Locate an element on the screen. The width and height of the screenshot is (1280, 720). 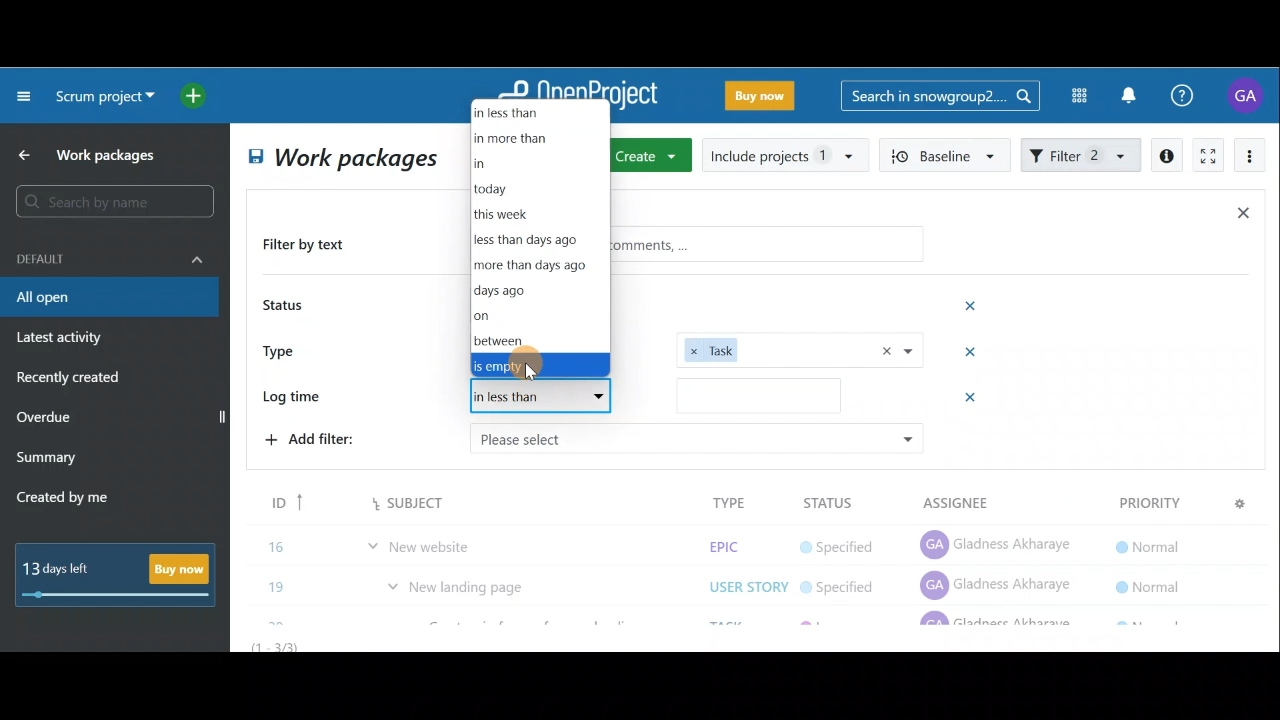
Filter is located at coordinates (1082, 153).